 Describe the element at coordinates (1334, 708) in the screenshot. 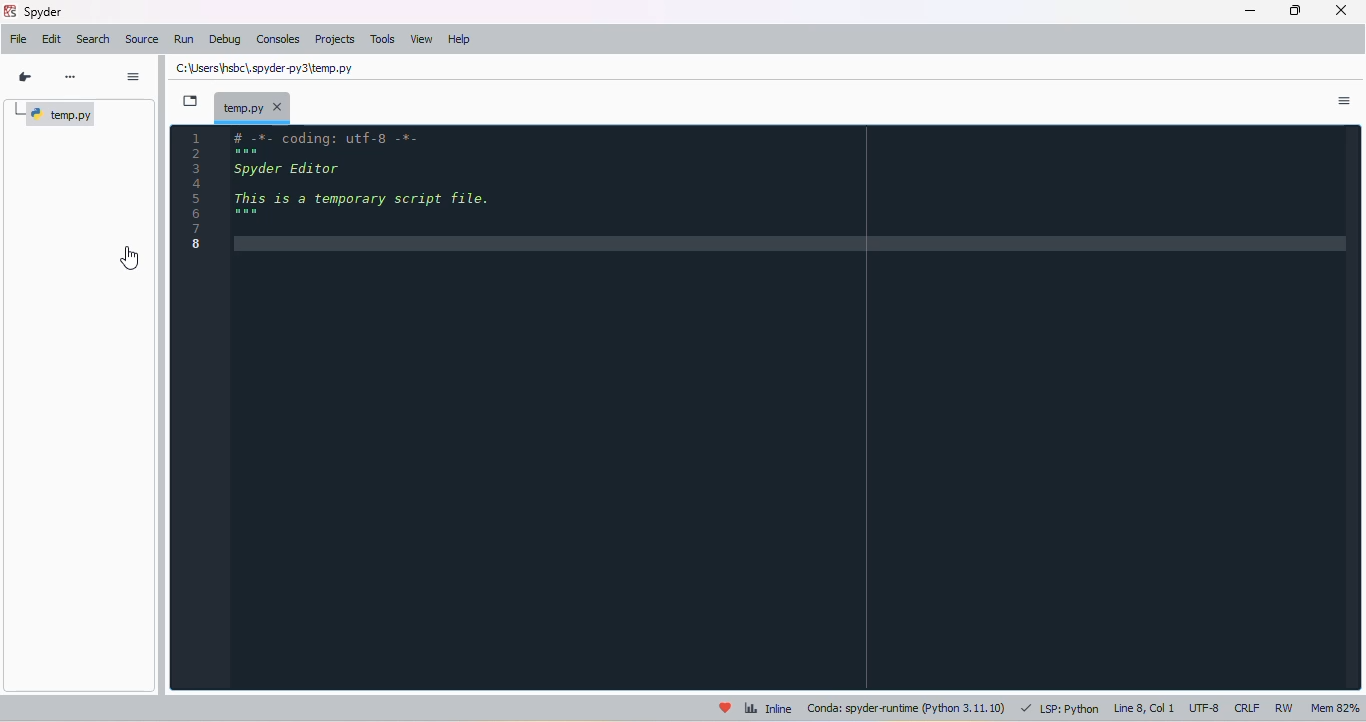

I see `mem 82%` at that location.